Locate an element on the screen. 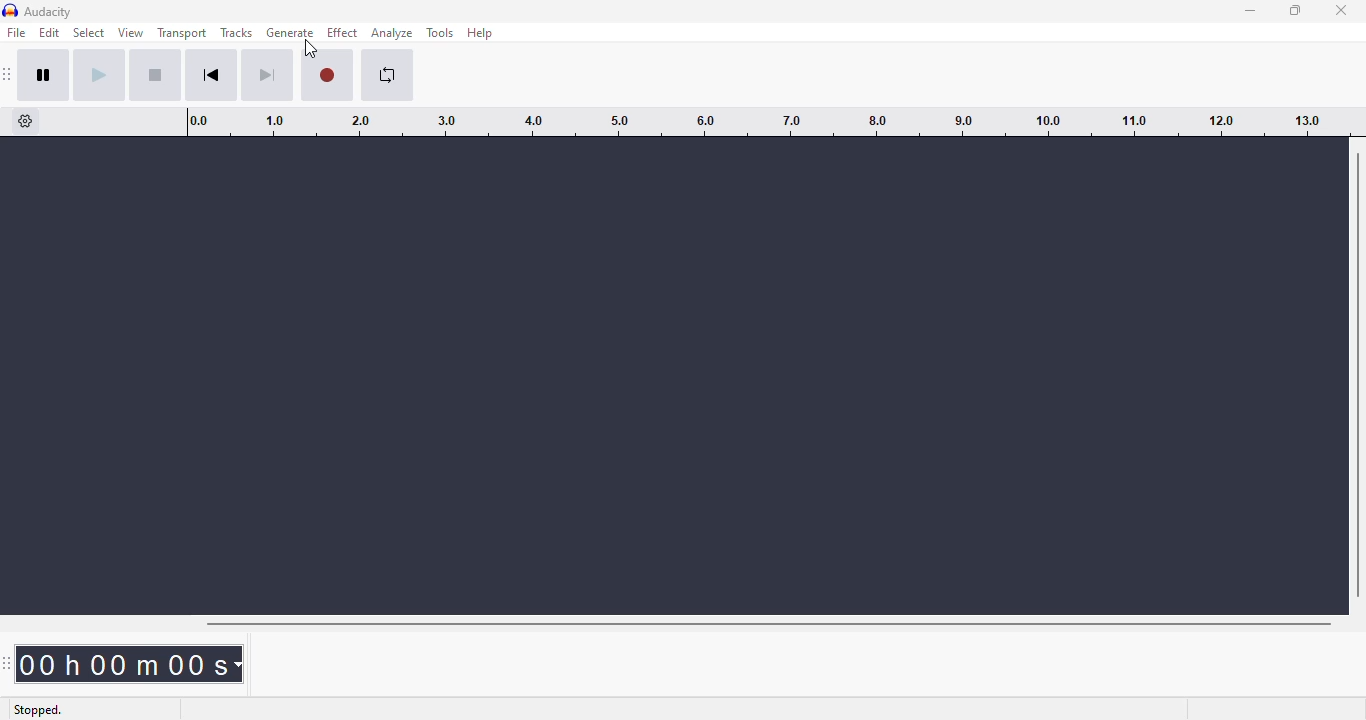  enable looping is located at coordinates (388, 75).